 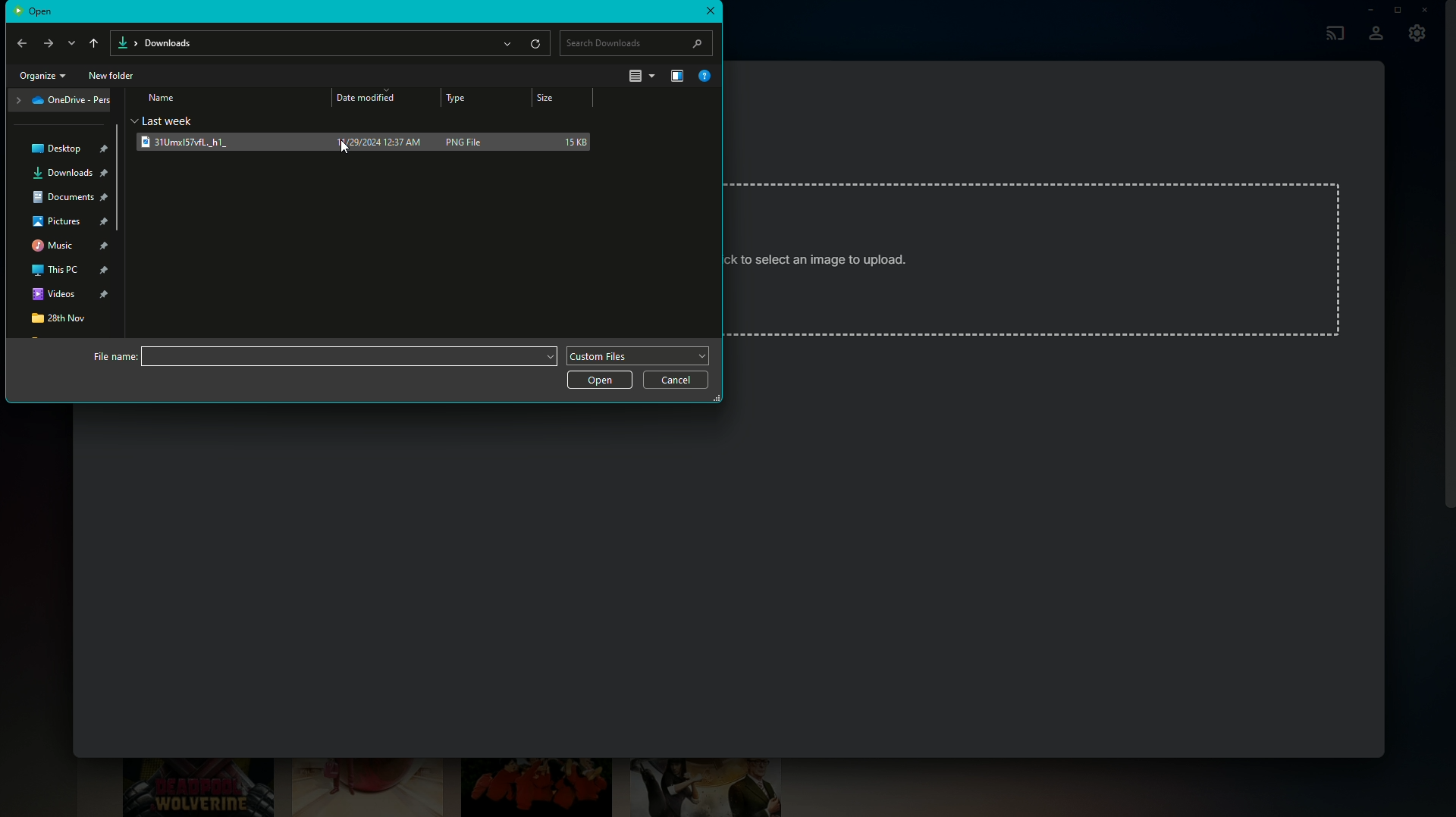 What do you see at coordinates (71, 174) in the screenshot?
I see `Downloads` at bounding box center [71, 174].